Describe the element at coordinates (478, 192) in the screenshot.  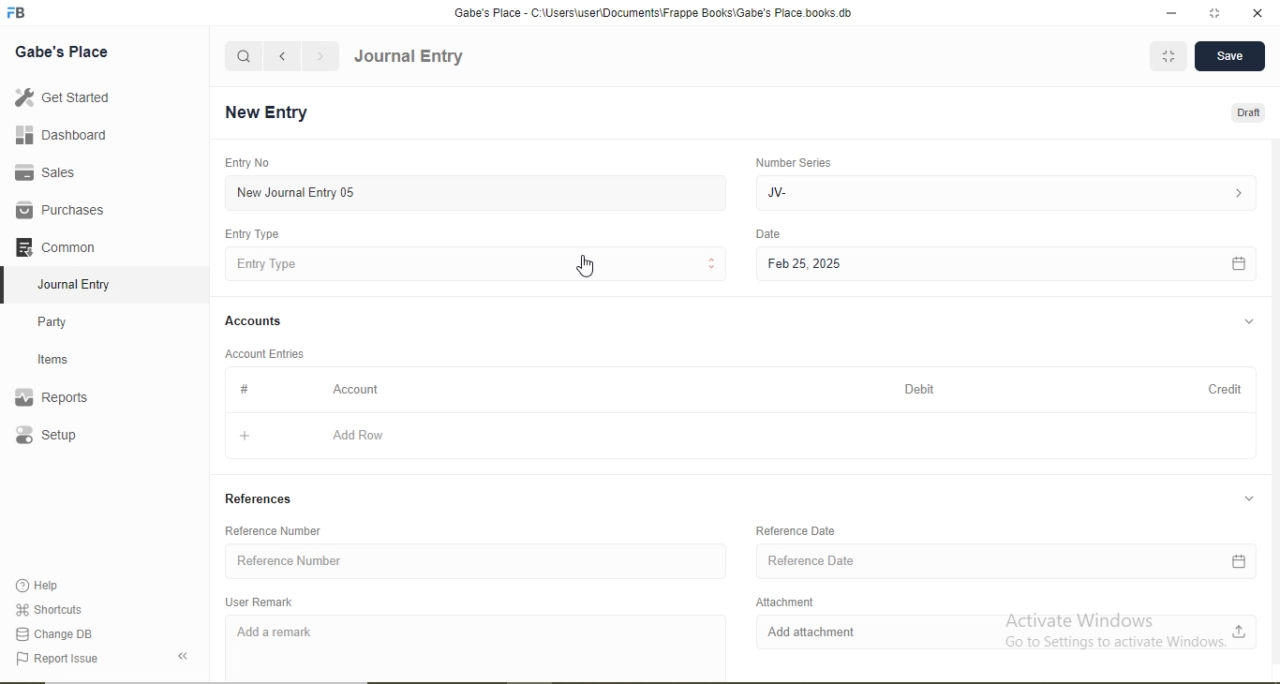
I see `New Journal Entry 05` at that location.